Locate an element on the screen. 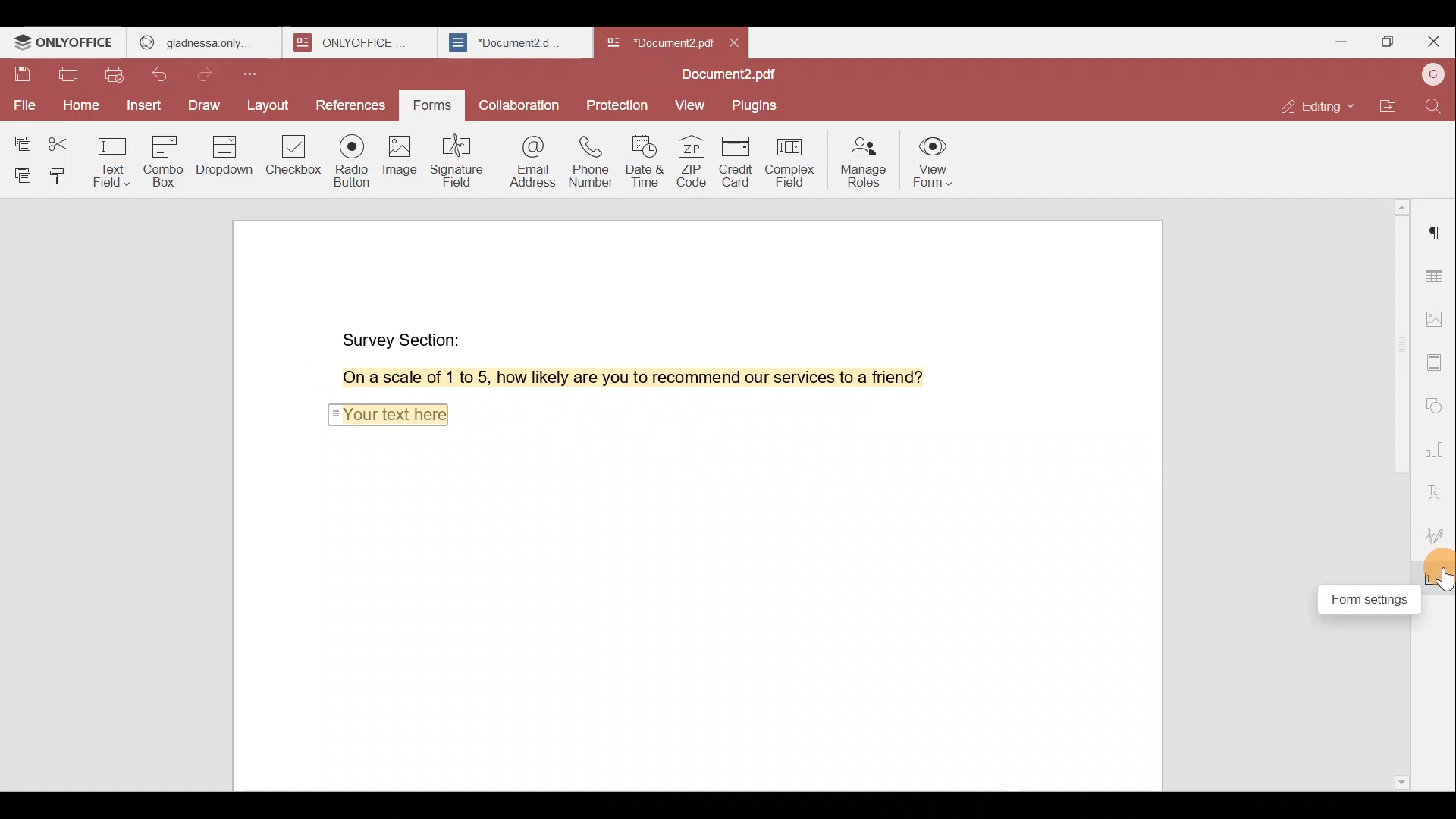 The width and height of the screenshot is (1456, 819). Signature field is located at coordinates (454, 160).